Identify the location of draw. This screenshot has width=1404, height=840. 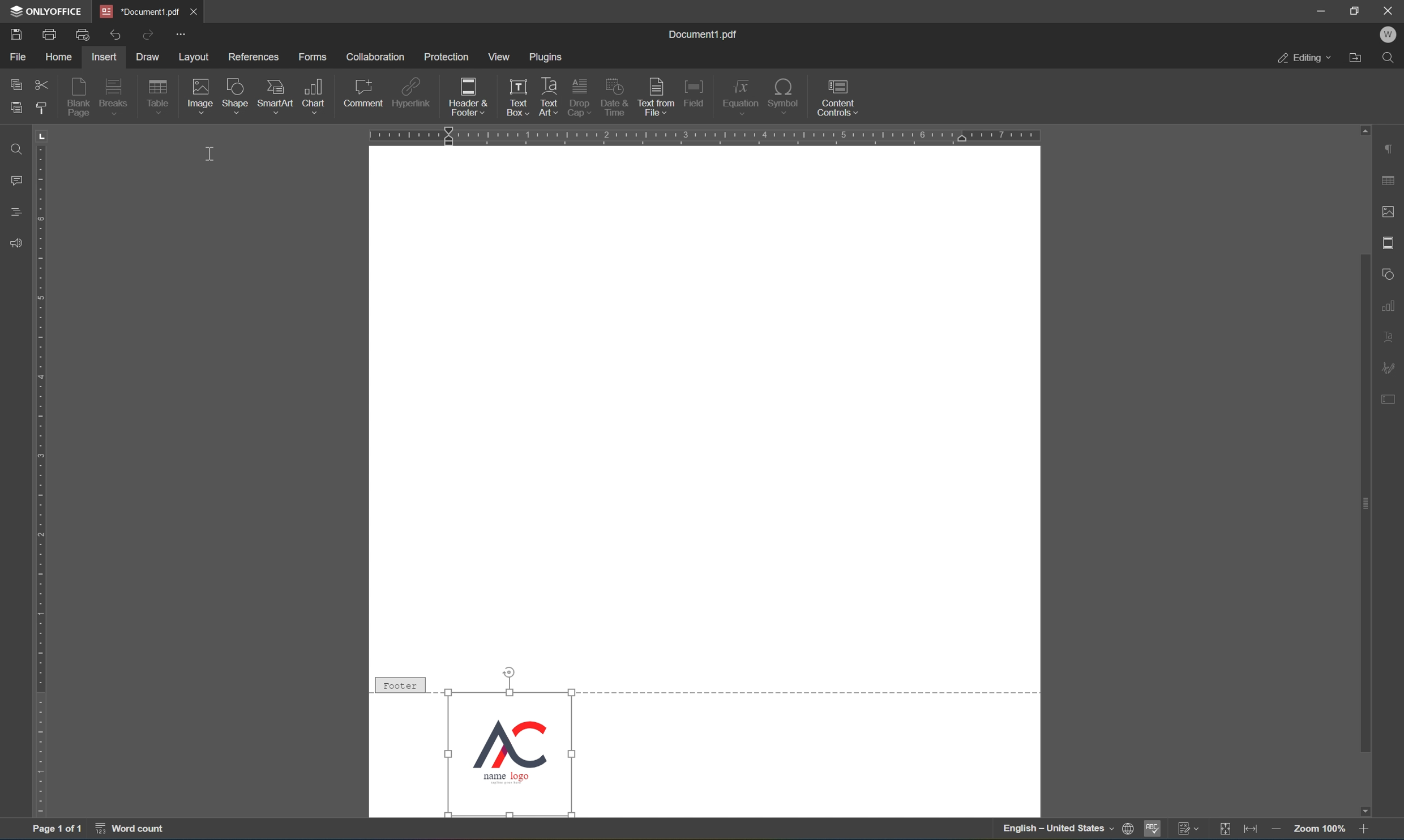
(153, 57).